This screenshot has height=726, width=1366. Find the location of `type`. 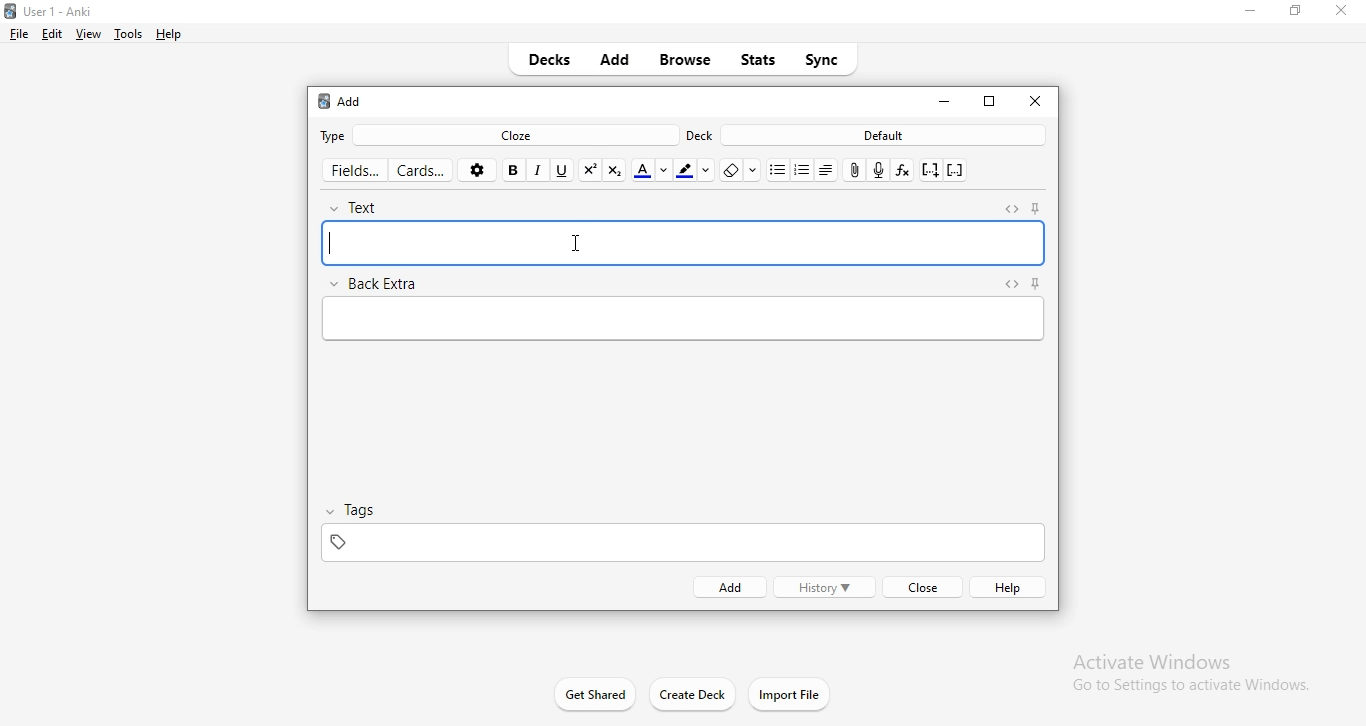

type is located at coordinates (337, 135).